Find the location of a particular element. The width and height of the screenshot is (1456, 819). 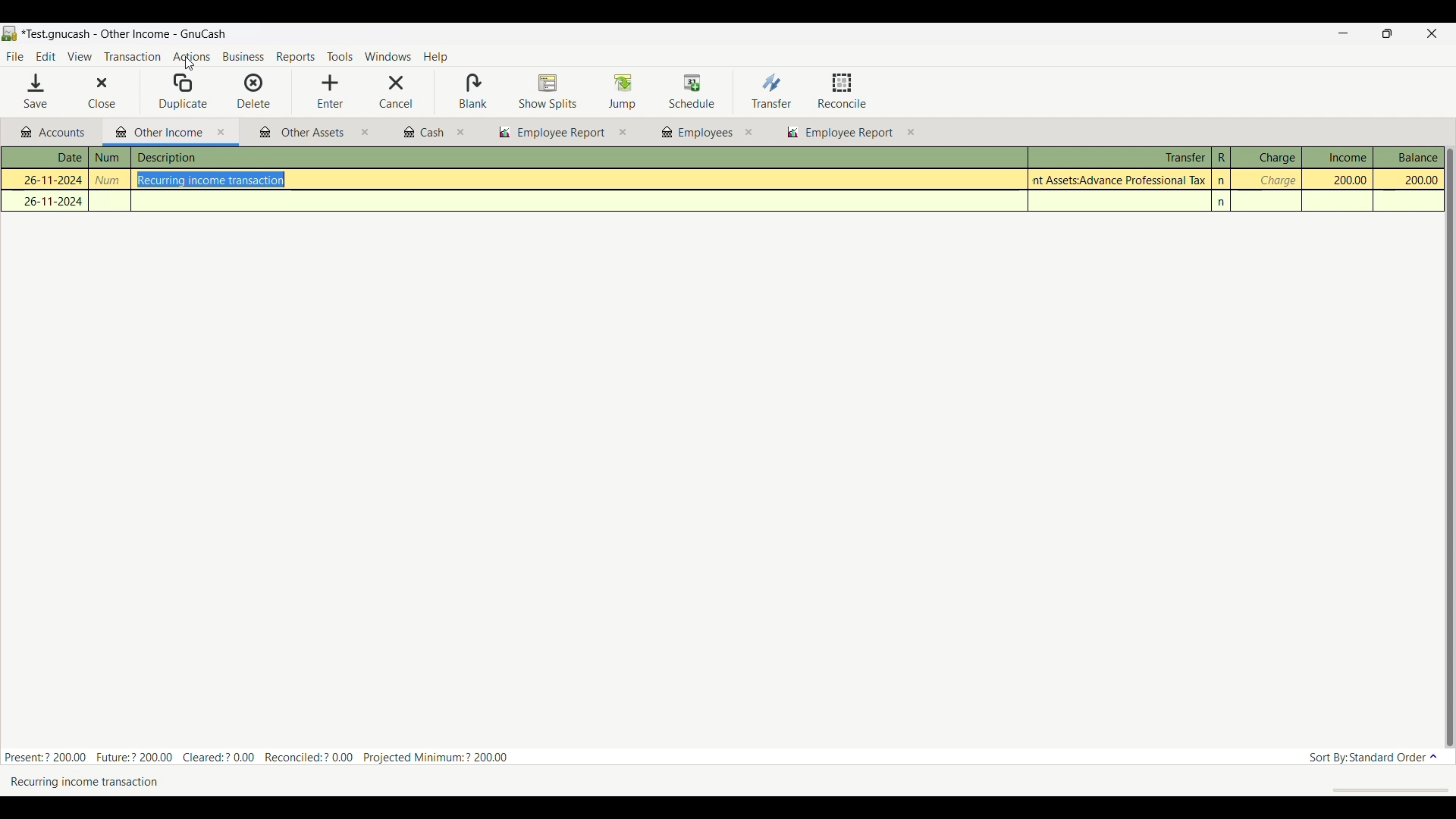

cash is located at coordinates (422, 133).